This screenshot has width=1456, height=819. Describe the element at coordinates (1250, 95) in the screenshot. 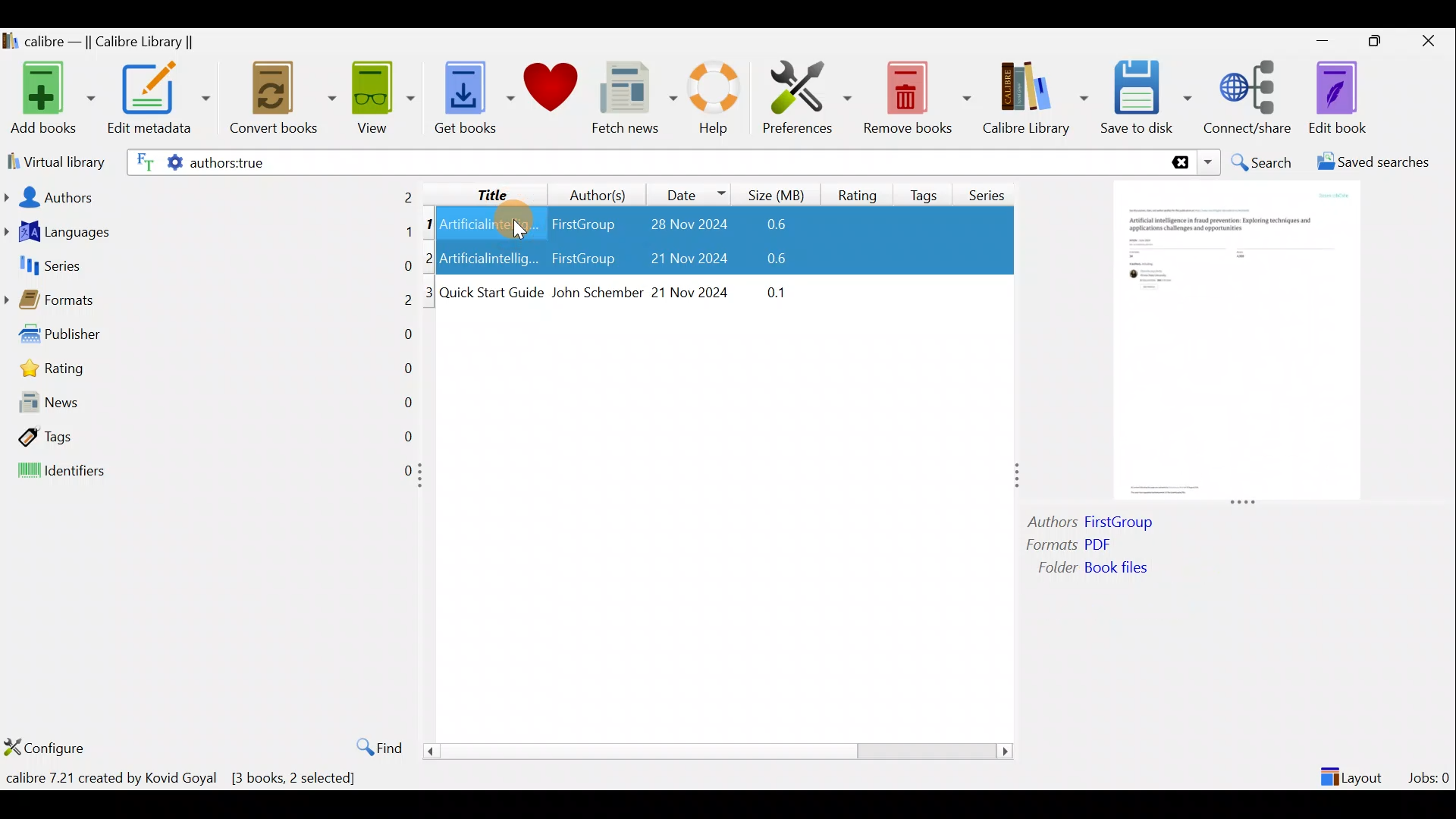

I see `Connect/share` at that location.